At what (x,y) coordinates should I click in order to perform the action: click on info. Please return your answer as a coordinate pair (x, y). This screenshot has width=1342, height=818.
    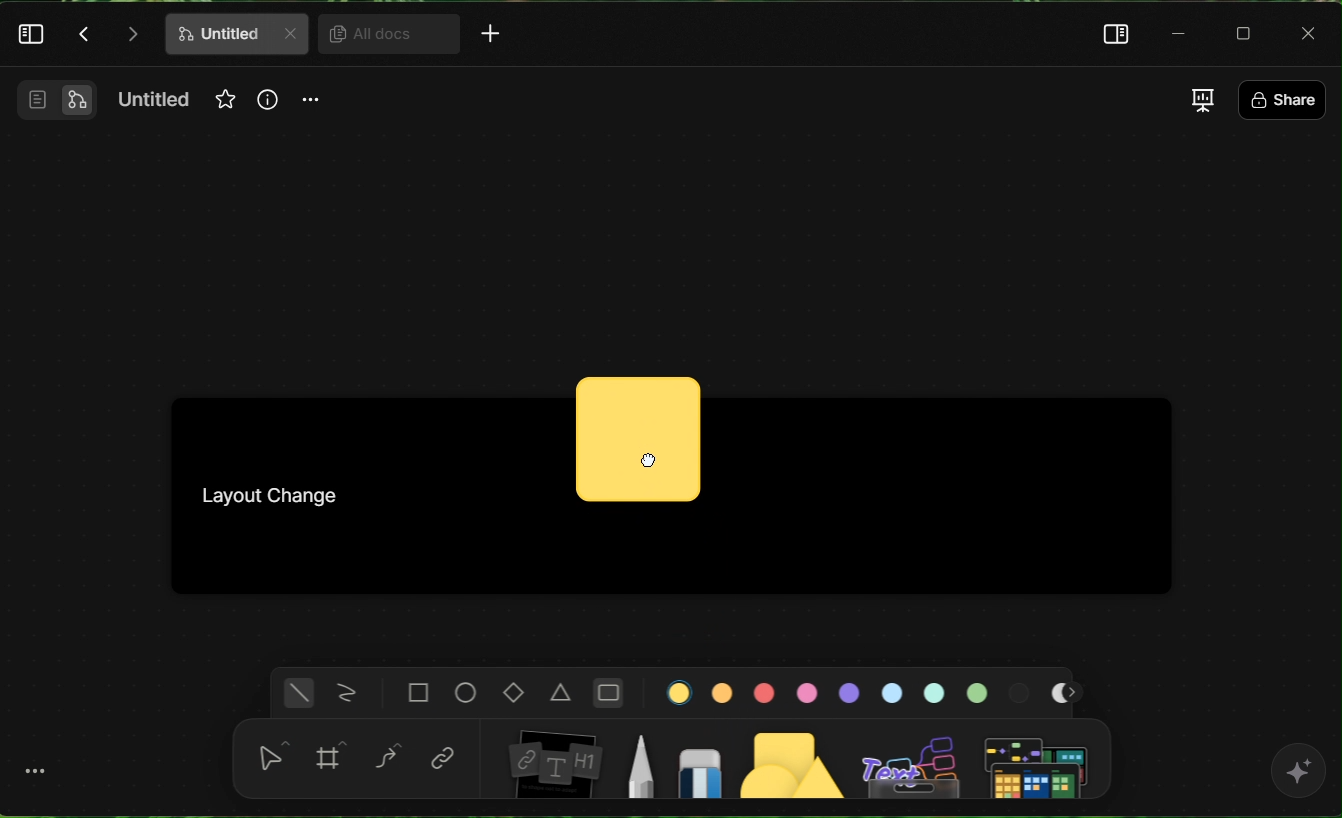
    Looking at the image, I should click on (266, 109).